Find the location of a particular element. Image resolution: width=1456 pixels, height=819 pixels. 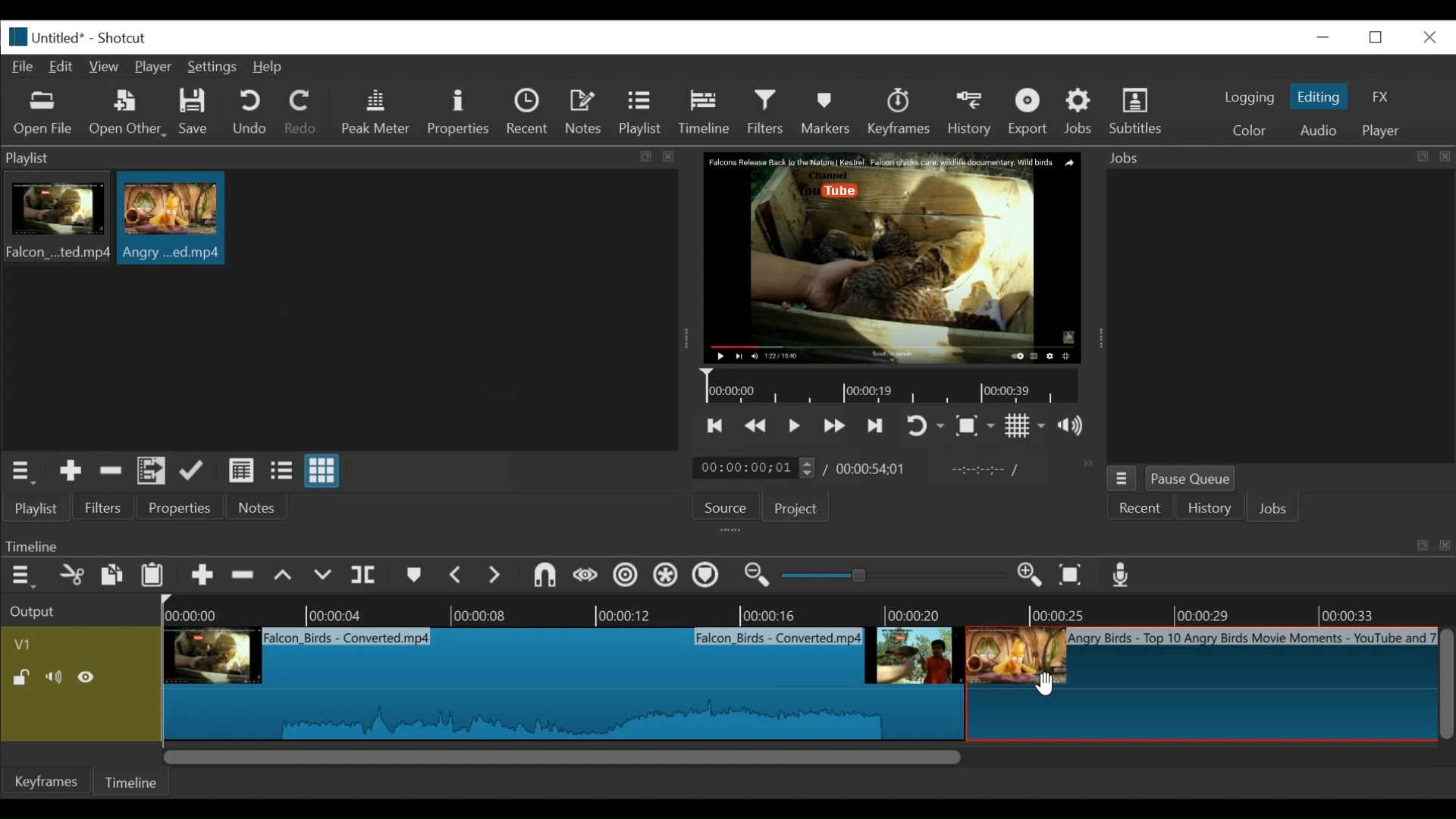

Save is located at coordinates (194, 114).